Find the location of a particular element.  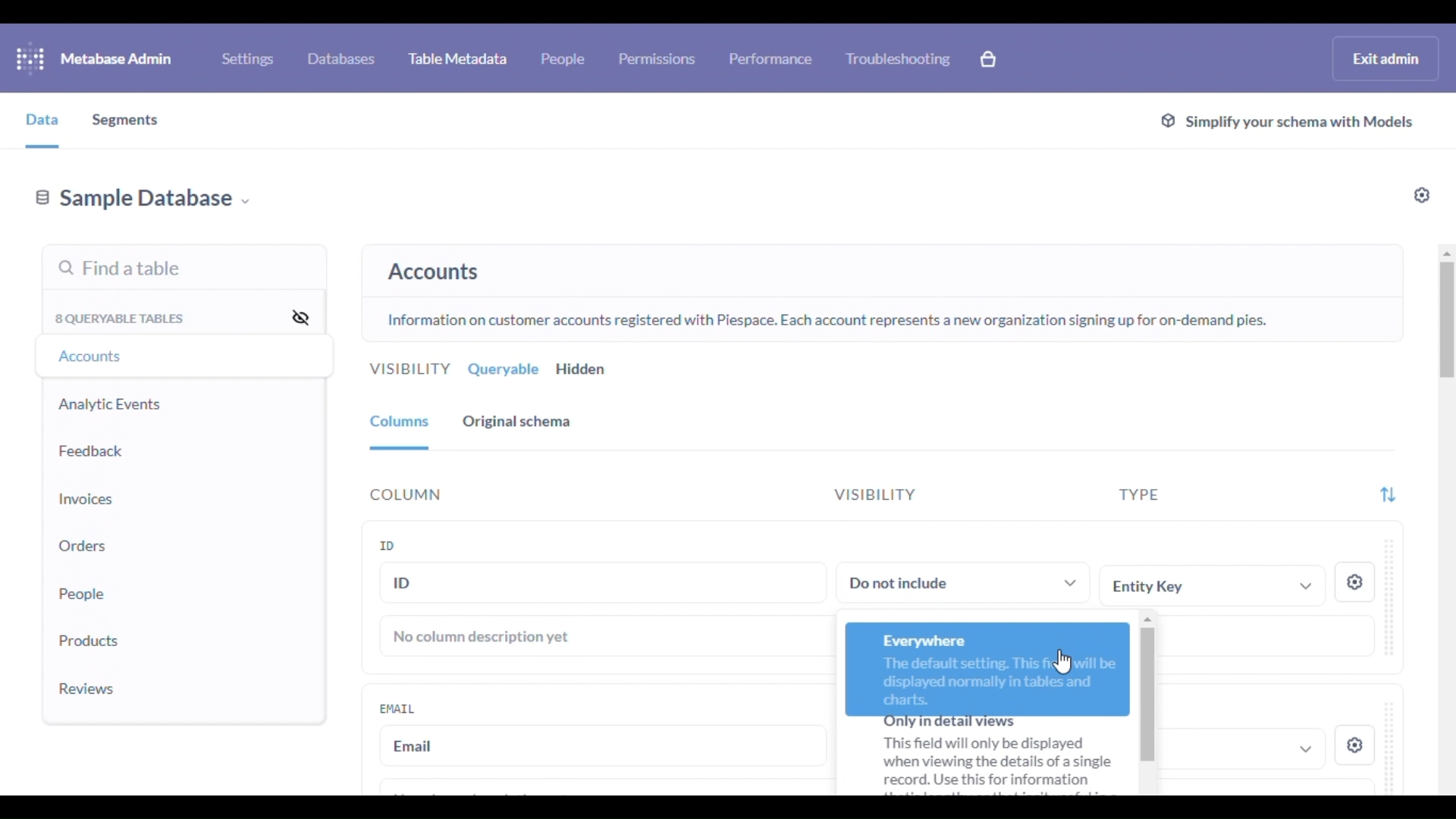

cursor is located at coordinates (1062, 661).